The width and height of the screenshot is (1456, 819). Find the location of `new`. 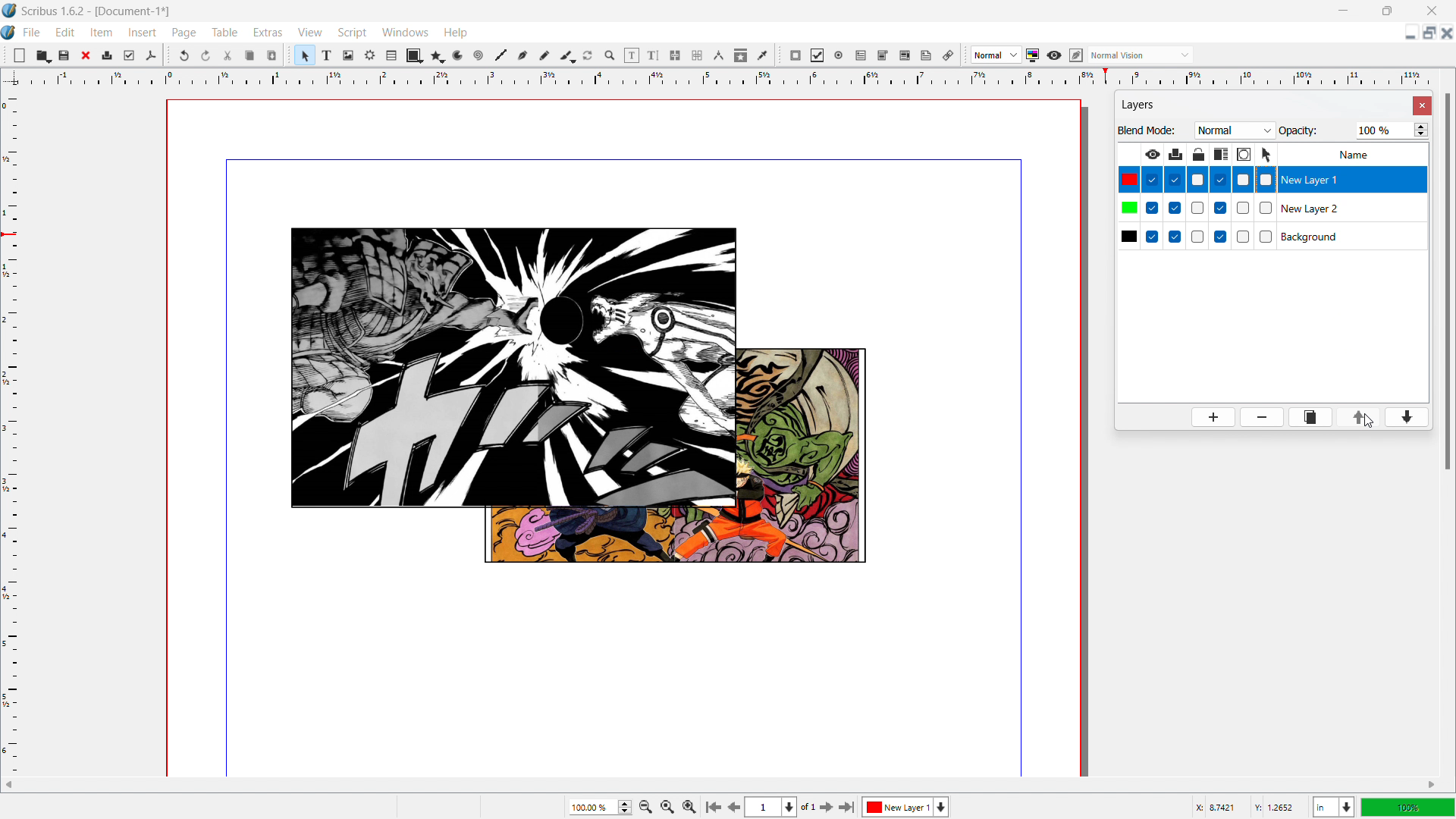

new is located at coordinates (20, 55).